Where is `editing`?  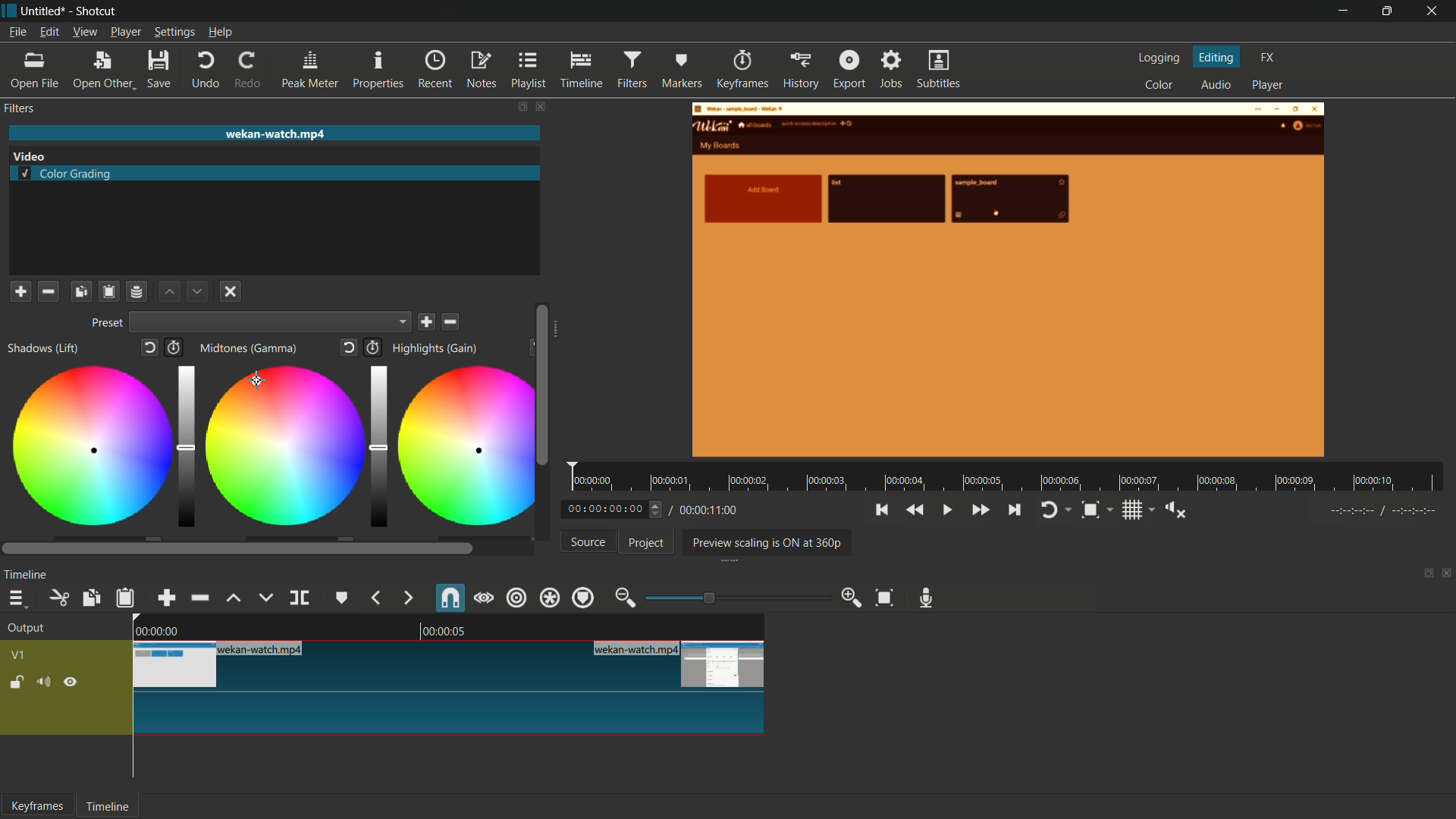 editing is located at coordinates (1217, 57).